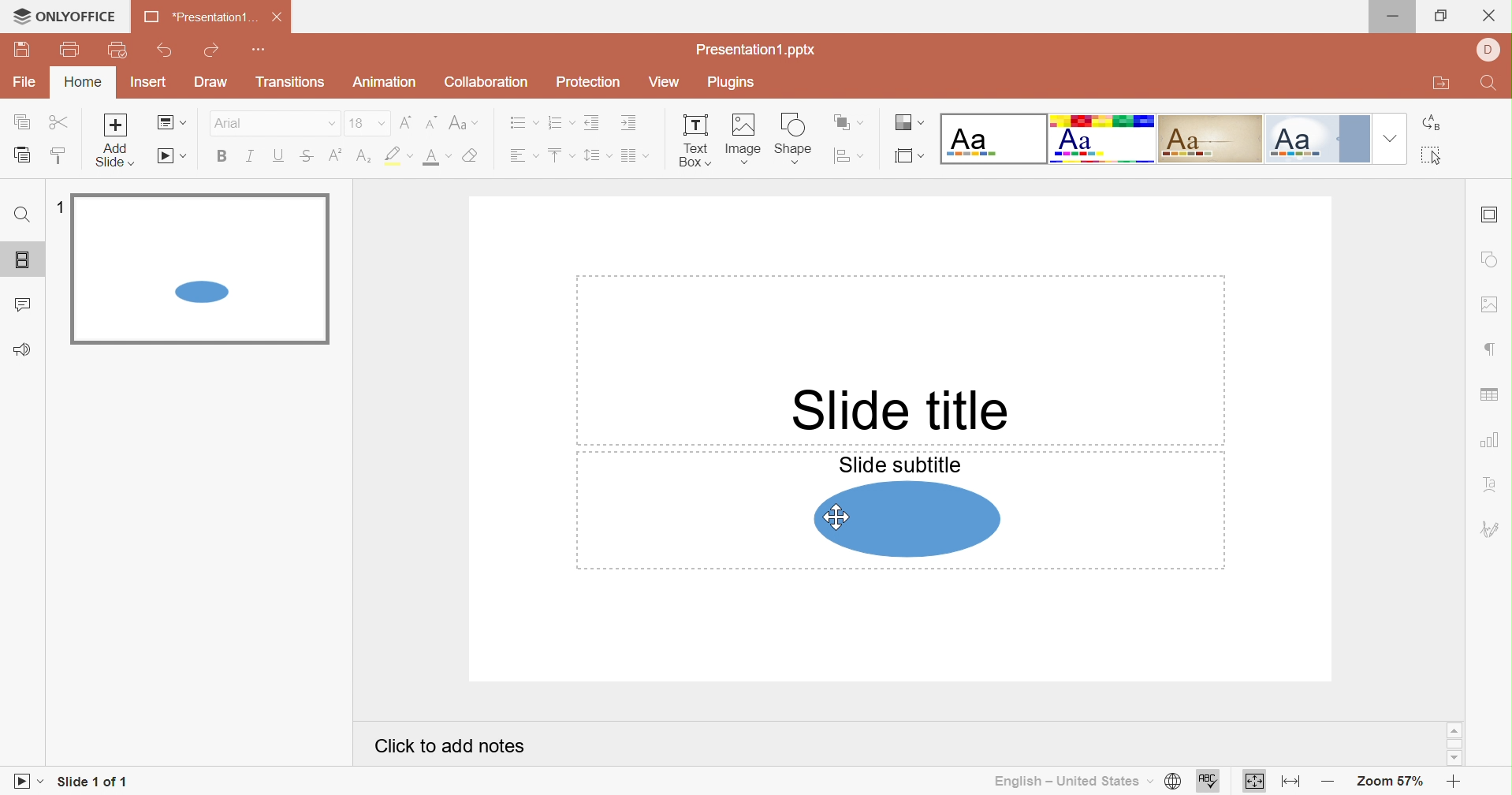 The width and height of the screenshot is (1512, 795). I want to click on Quick print, so click(118, 50).